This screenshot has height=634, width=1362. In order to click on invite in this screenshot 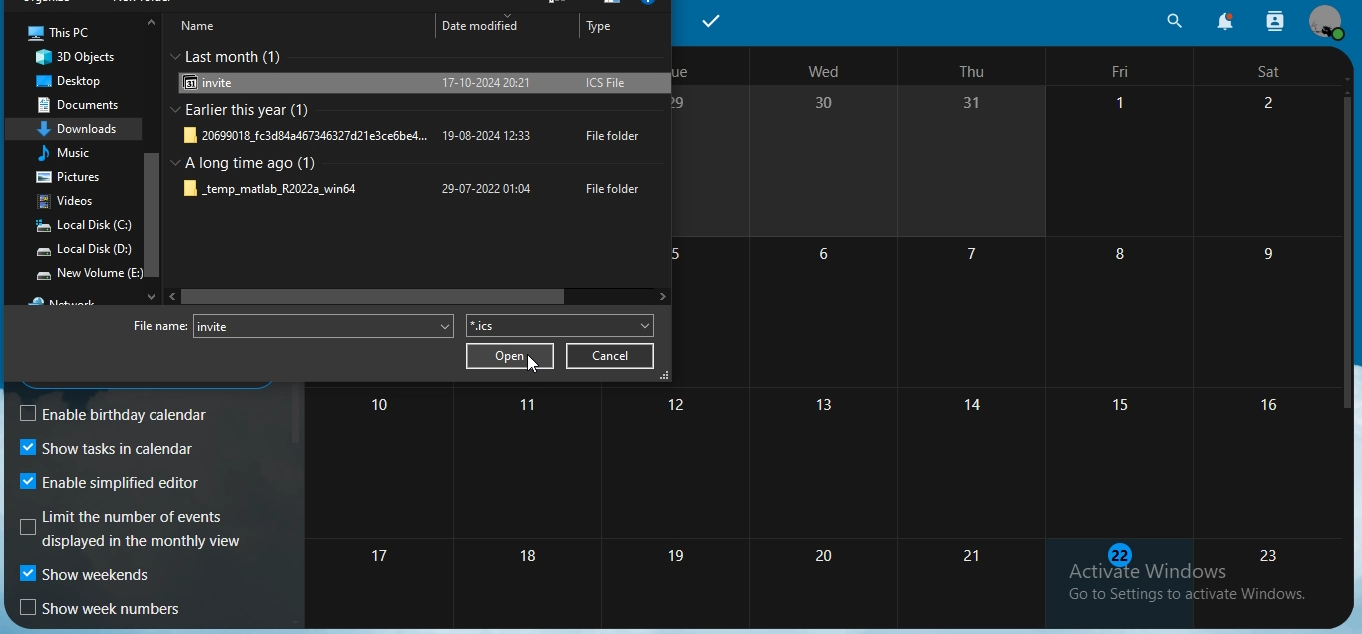, I will do `click(414, 85)`.